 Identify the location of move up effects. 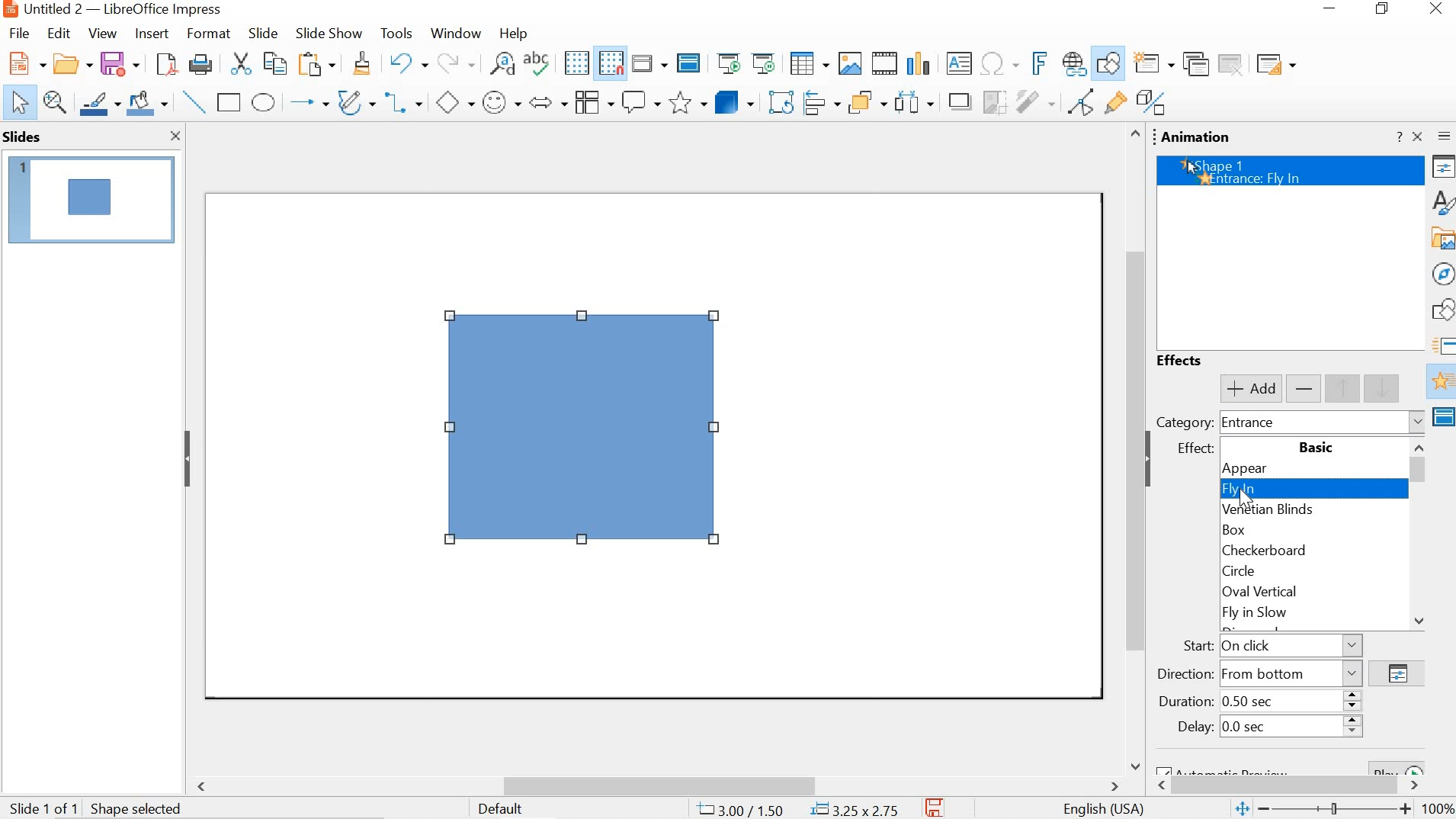
(1367, 388).